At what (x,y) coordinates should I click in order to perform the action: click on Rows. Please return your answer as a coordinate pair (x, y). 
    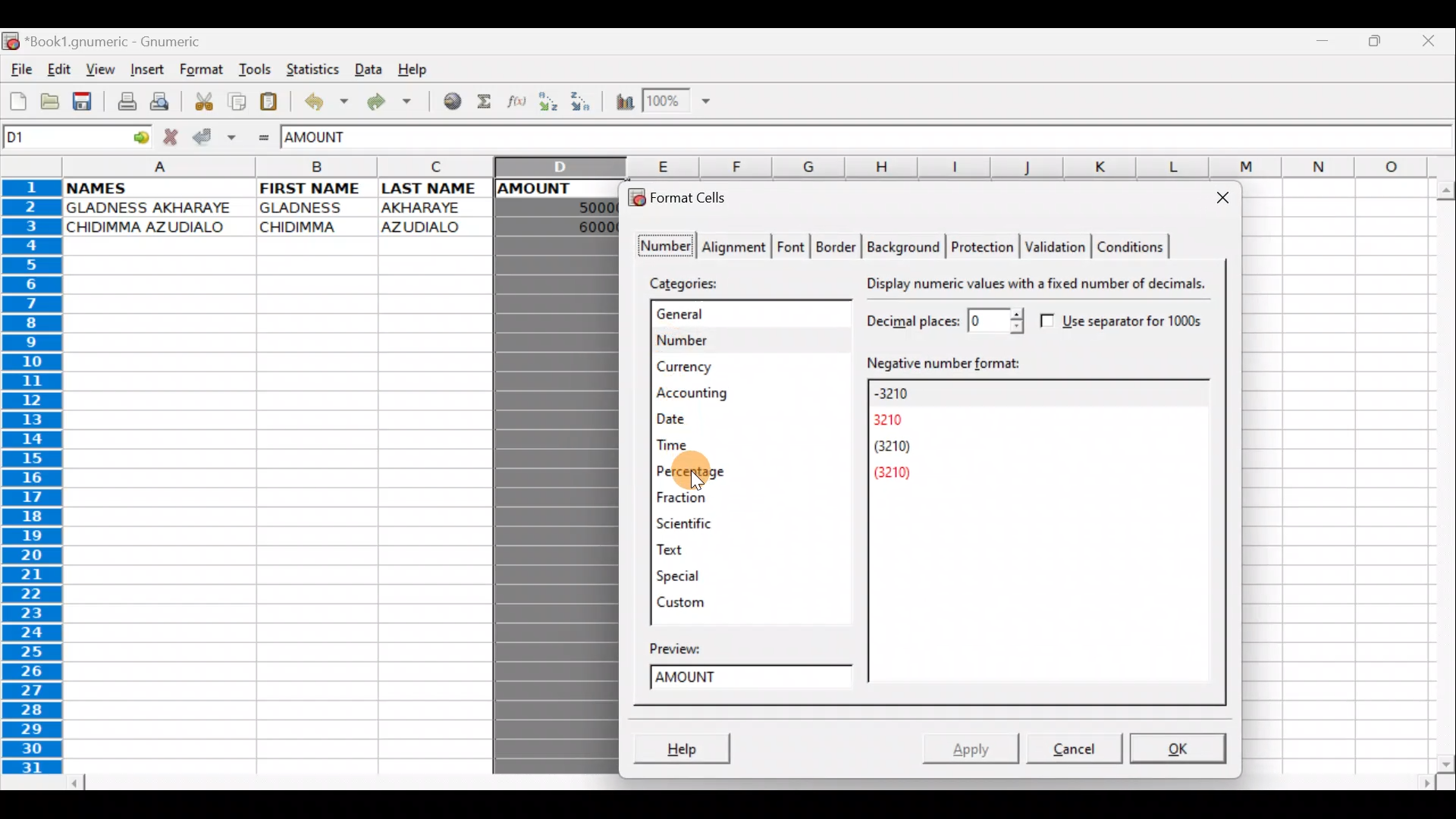
    Looking at the image, I should click on (38, 480).